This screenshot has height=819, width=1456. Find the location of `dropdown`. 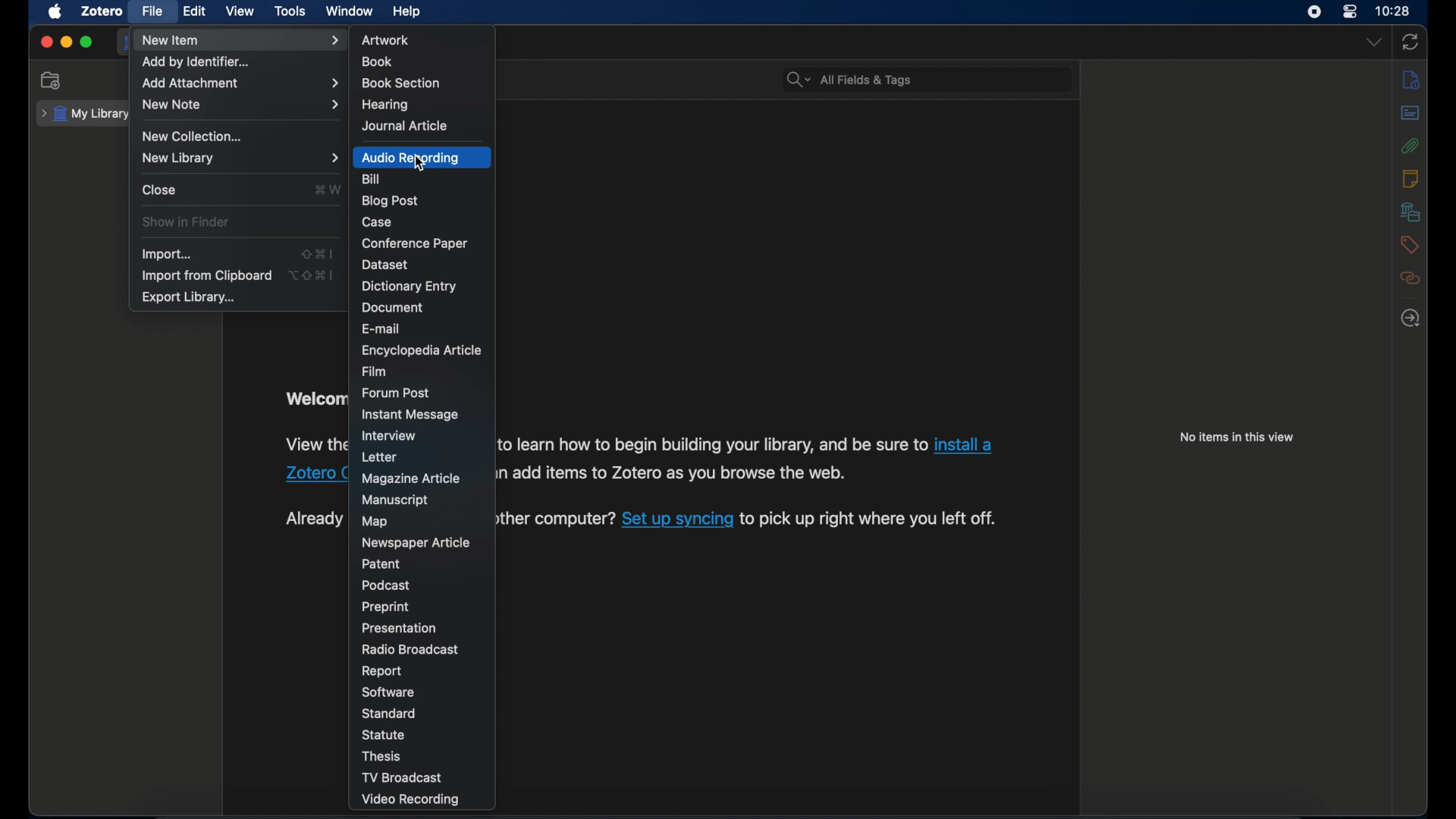

dropdown is located at coordinates (1373, 42).